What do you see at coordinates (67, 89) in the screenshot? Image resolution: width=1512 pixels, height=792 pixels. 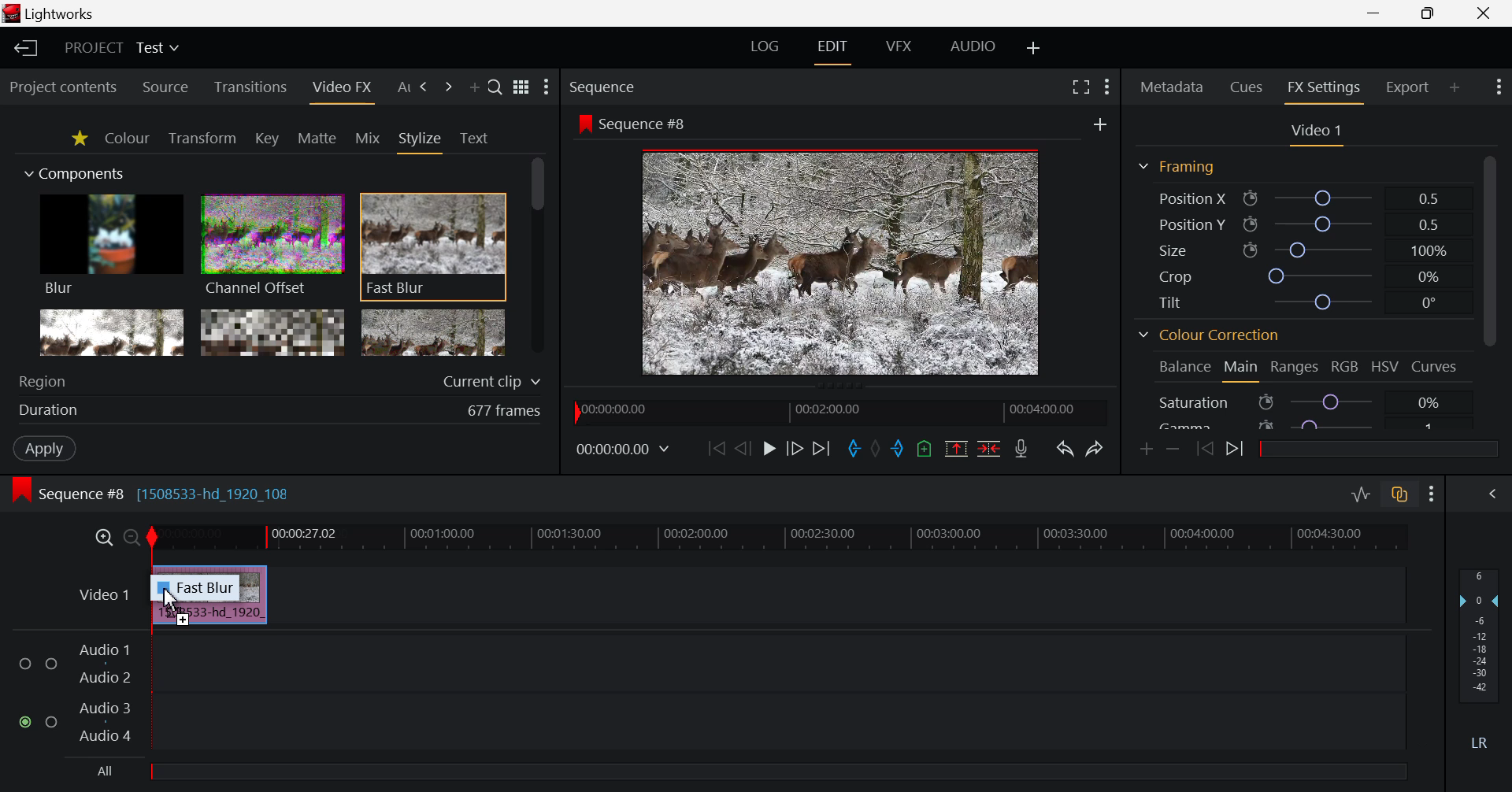 I see `Project contents` at bounding box center [67, 89].